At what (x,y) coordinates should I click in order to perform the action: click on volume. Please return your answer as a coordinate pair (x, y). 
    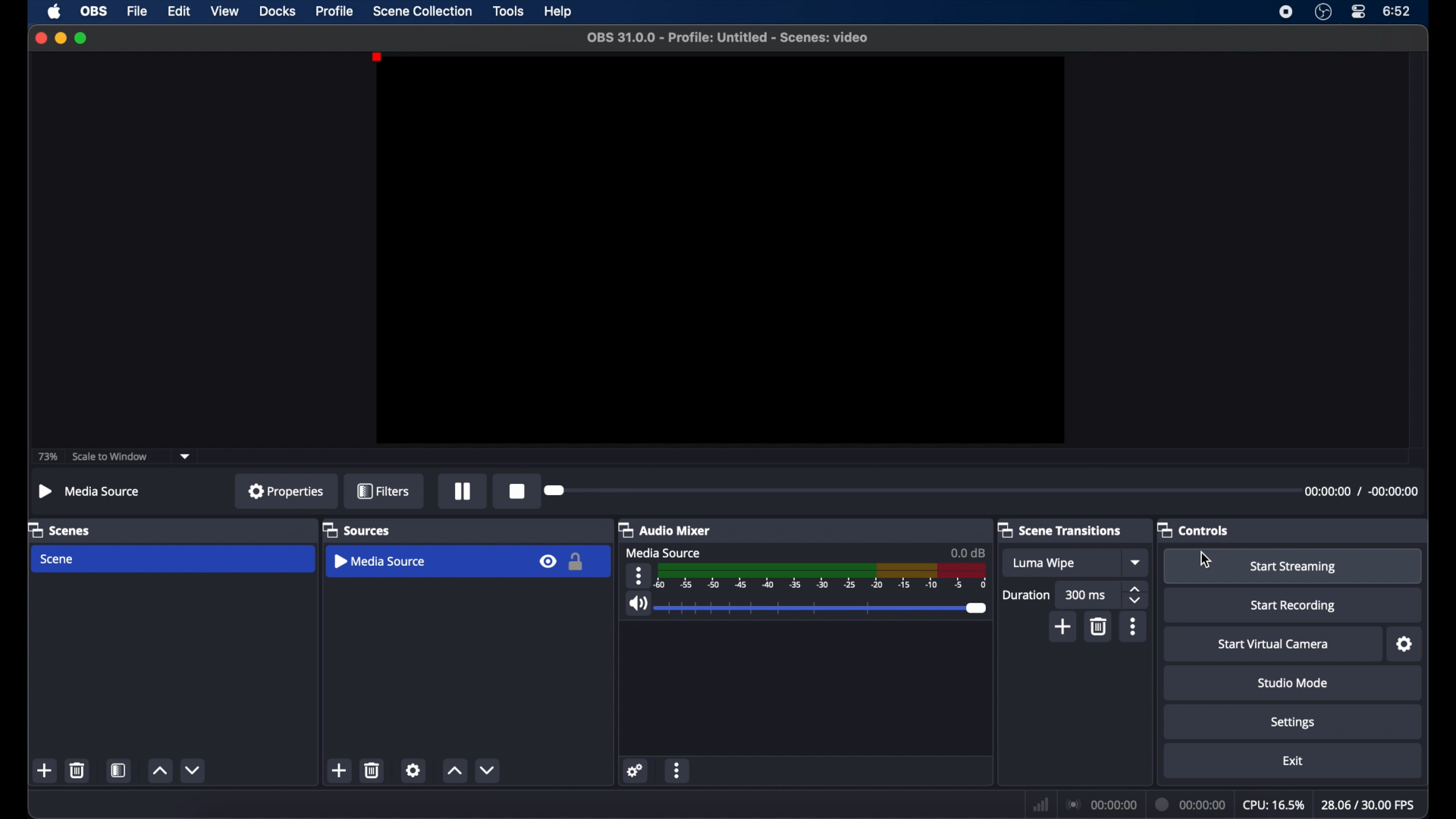
    Looking at the image, I should click on (638, 604).